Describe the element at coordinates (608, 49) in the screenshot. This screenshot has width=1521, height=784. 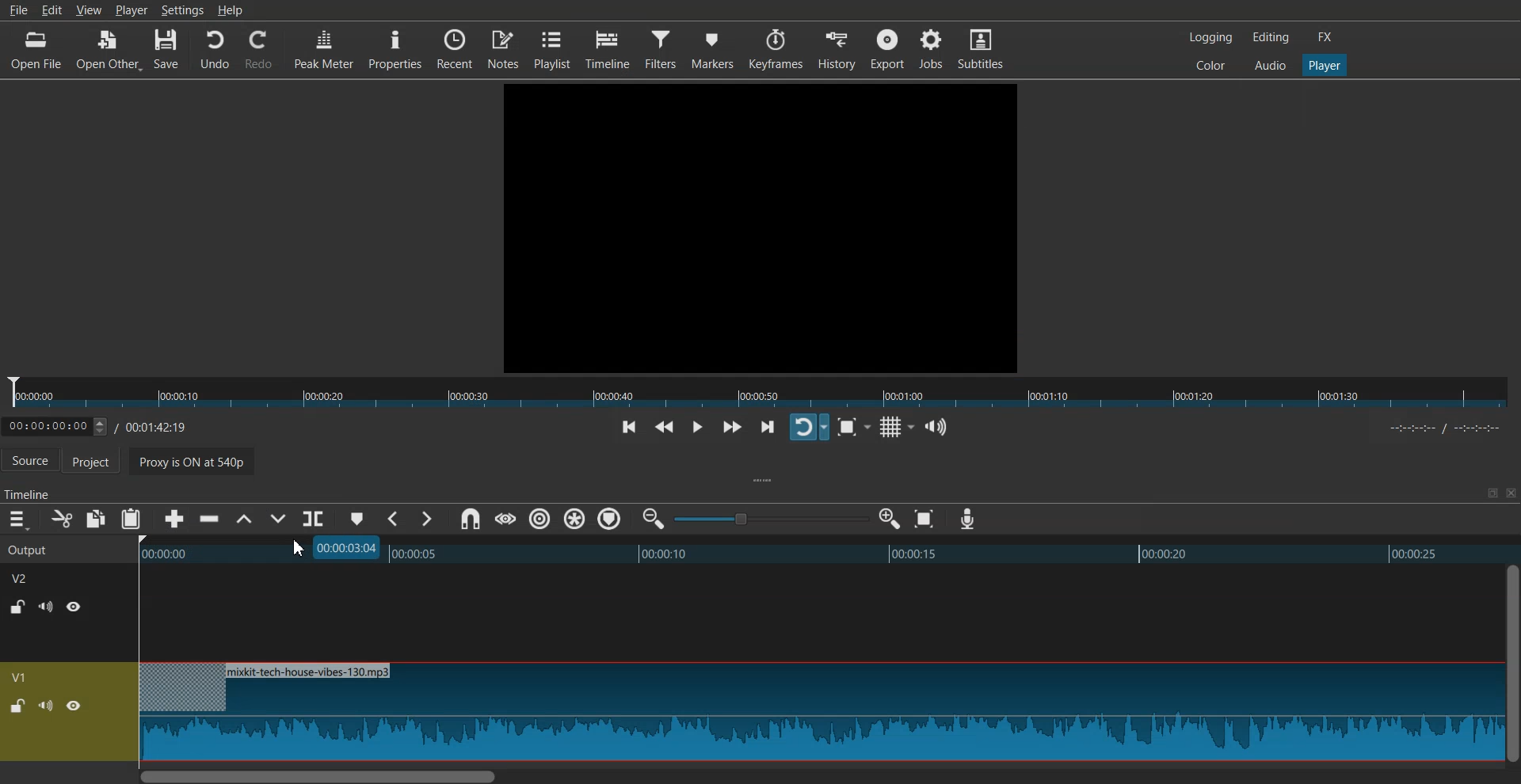
I see `Timeline` at that location.